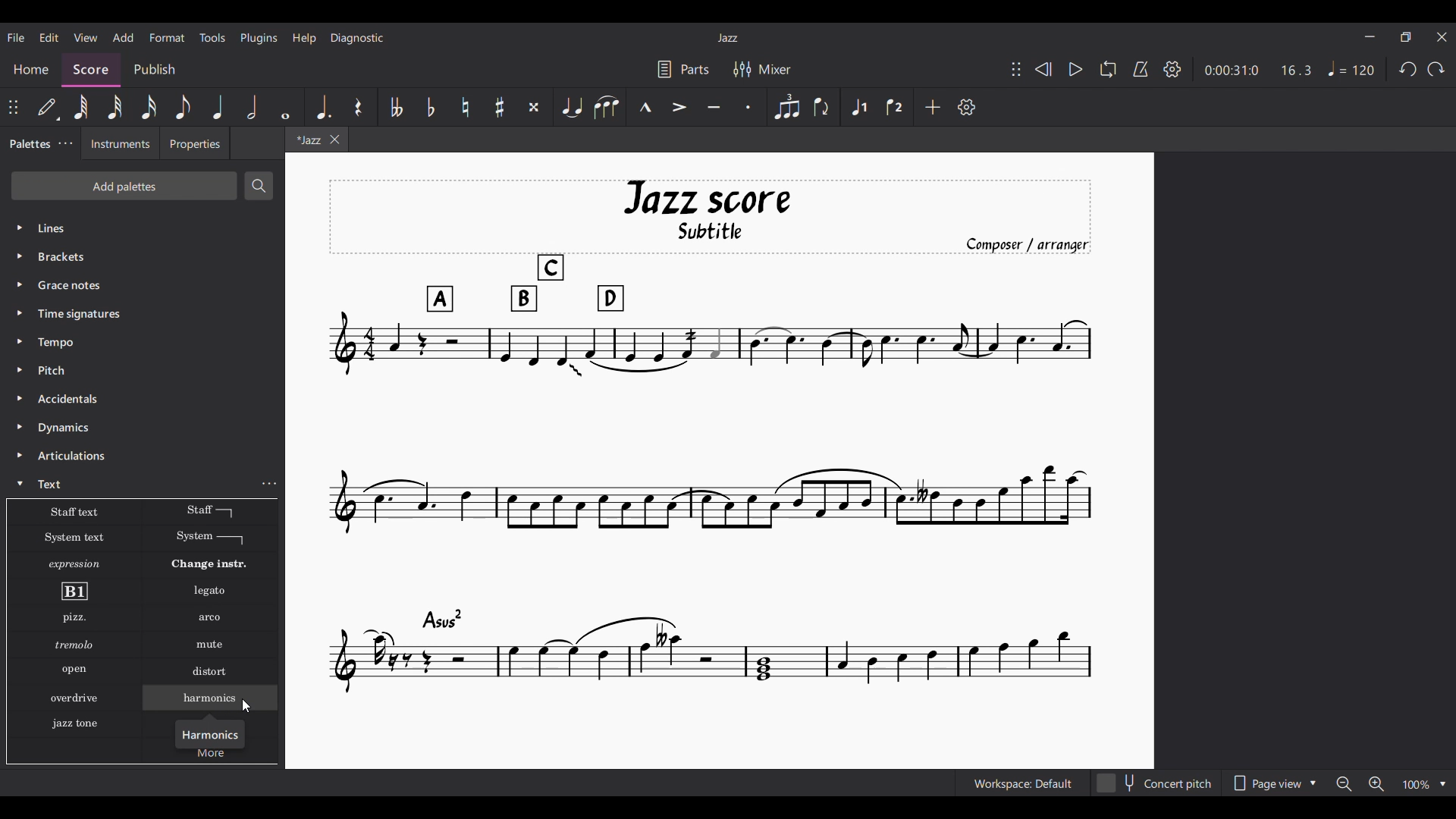 The height and width of the screenshot is (819, 1456). Describe the element at coordinates (895, 106) in the screenshot. I see `Voice 2` at that location.